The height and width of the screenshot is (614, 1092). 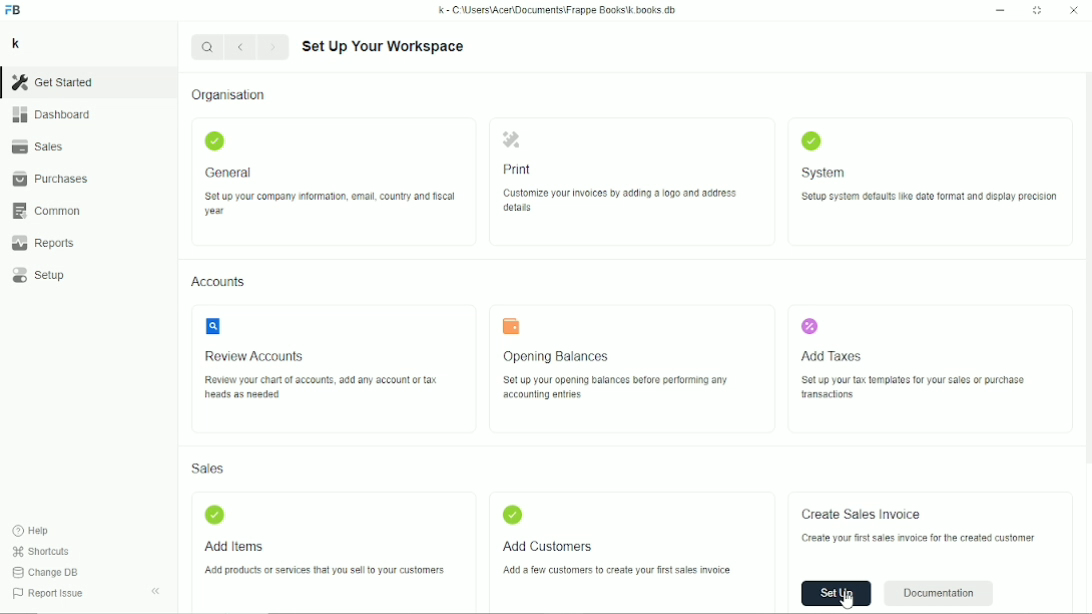 I want to click on FB, so click(x=14, y=10).